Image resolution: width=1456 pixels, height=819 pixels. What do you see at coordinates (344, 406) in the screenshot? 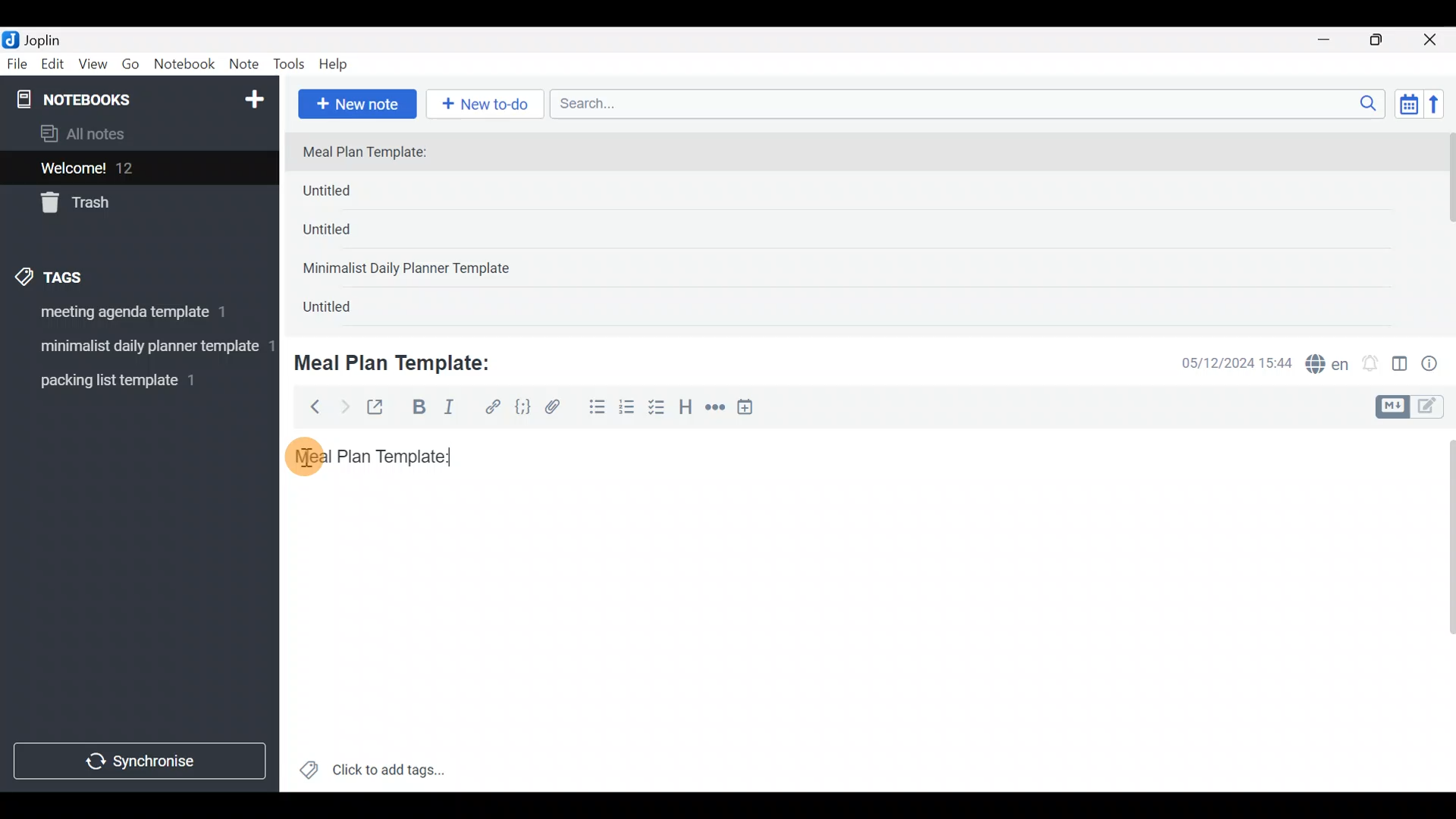
I see `Forward` at bounding box center [344, 406].